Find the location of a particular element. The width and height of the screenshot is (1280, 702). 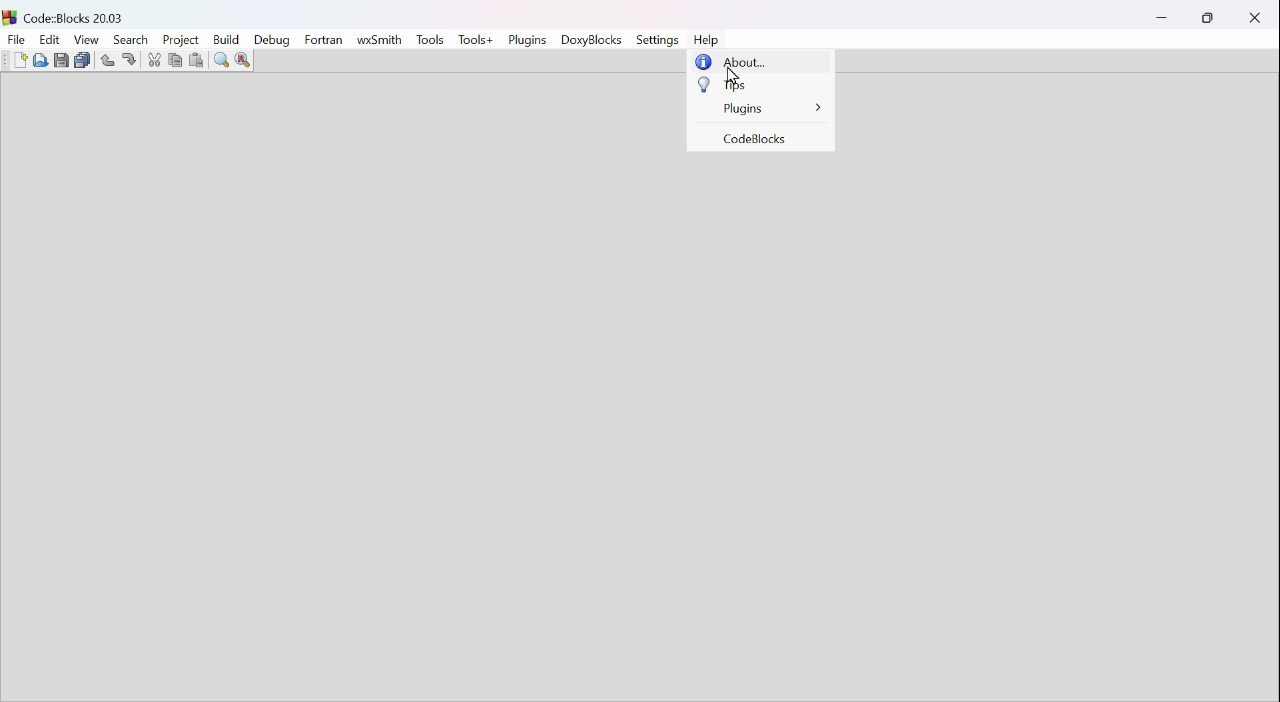

cursor on About is located at coordinates (733, 77).